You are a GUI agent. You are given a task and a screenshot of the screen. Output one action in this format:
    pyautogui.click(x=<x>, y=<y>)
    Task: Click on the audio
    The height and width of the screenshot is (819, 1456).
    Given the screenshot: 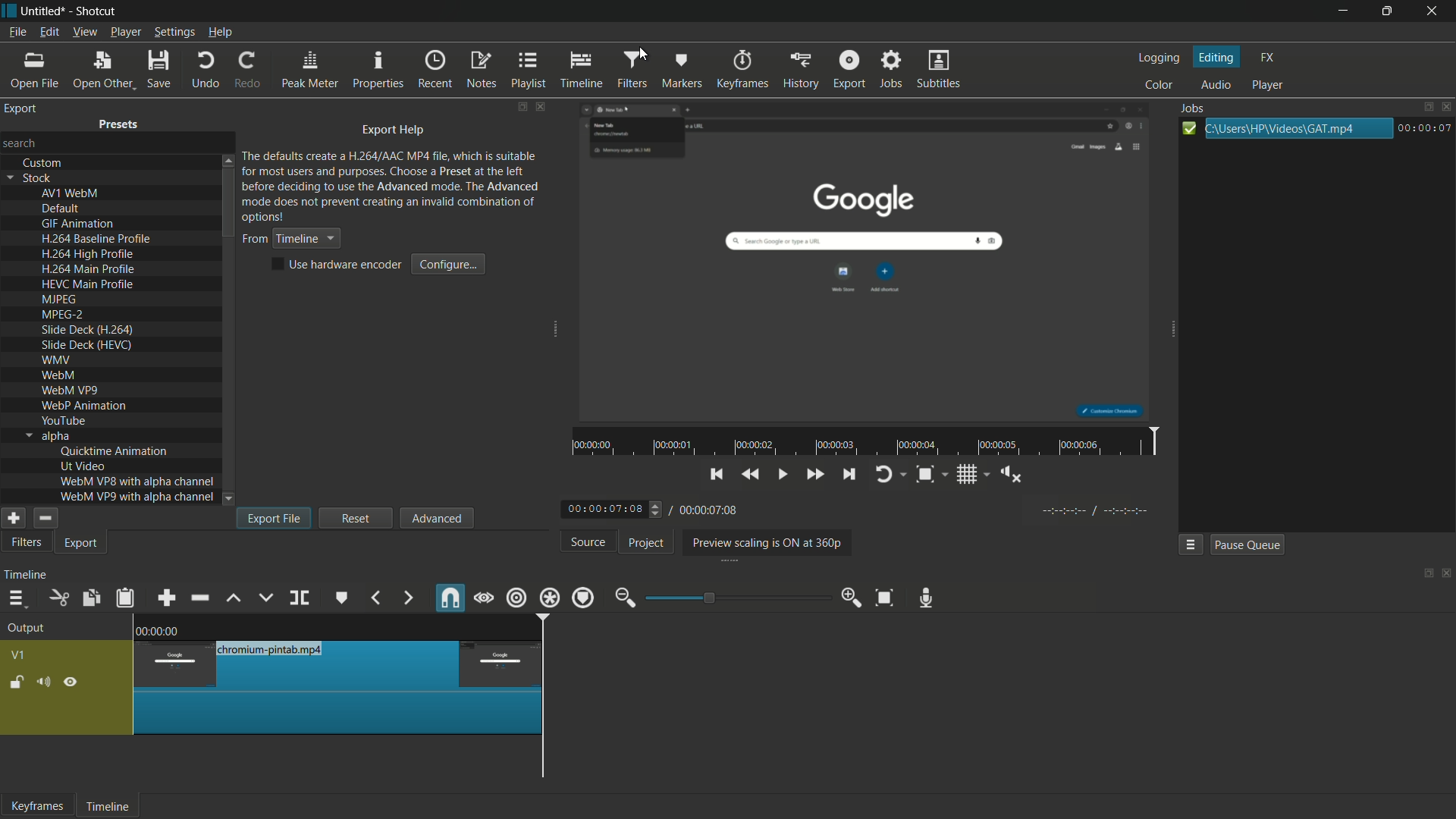 What is the action you would take?
    pyautogui.click(x=1216, y=86)
    